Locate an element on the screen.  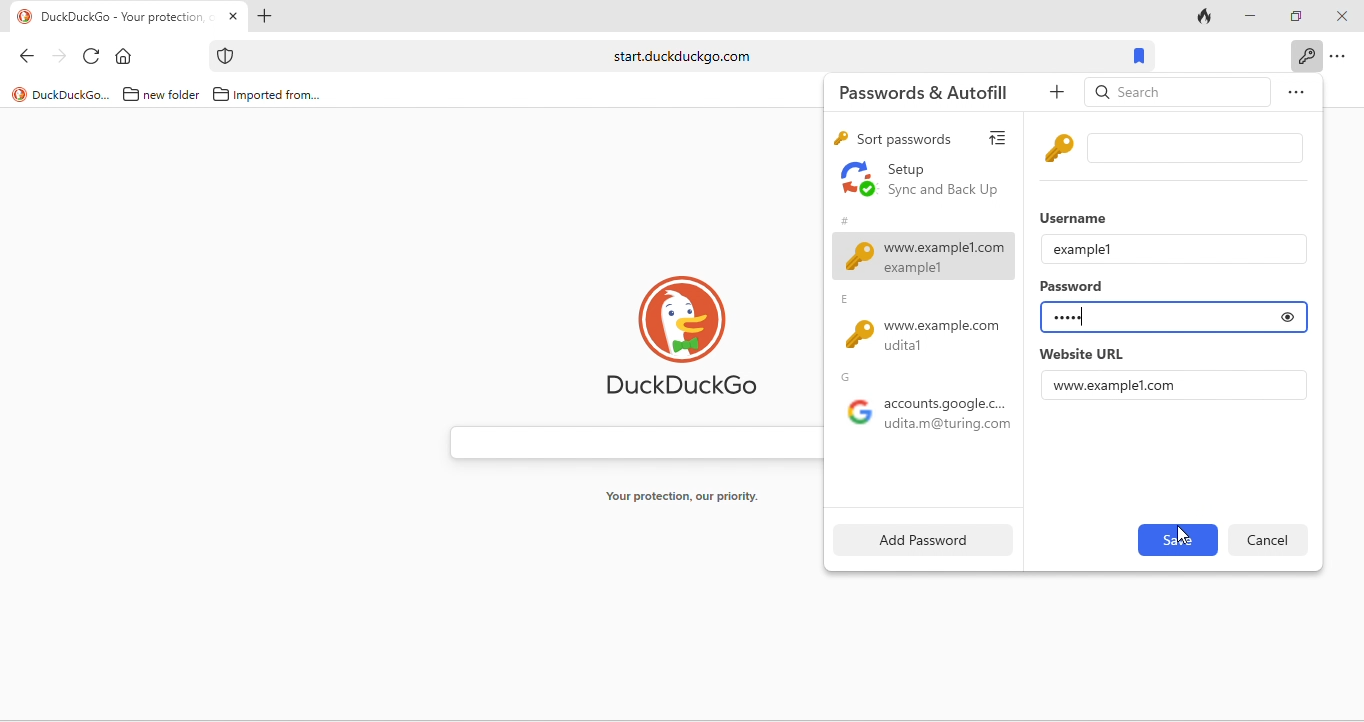
close tab is located at coordinates (233, 17).